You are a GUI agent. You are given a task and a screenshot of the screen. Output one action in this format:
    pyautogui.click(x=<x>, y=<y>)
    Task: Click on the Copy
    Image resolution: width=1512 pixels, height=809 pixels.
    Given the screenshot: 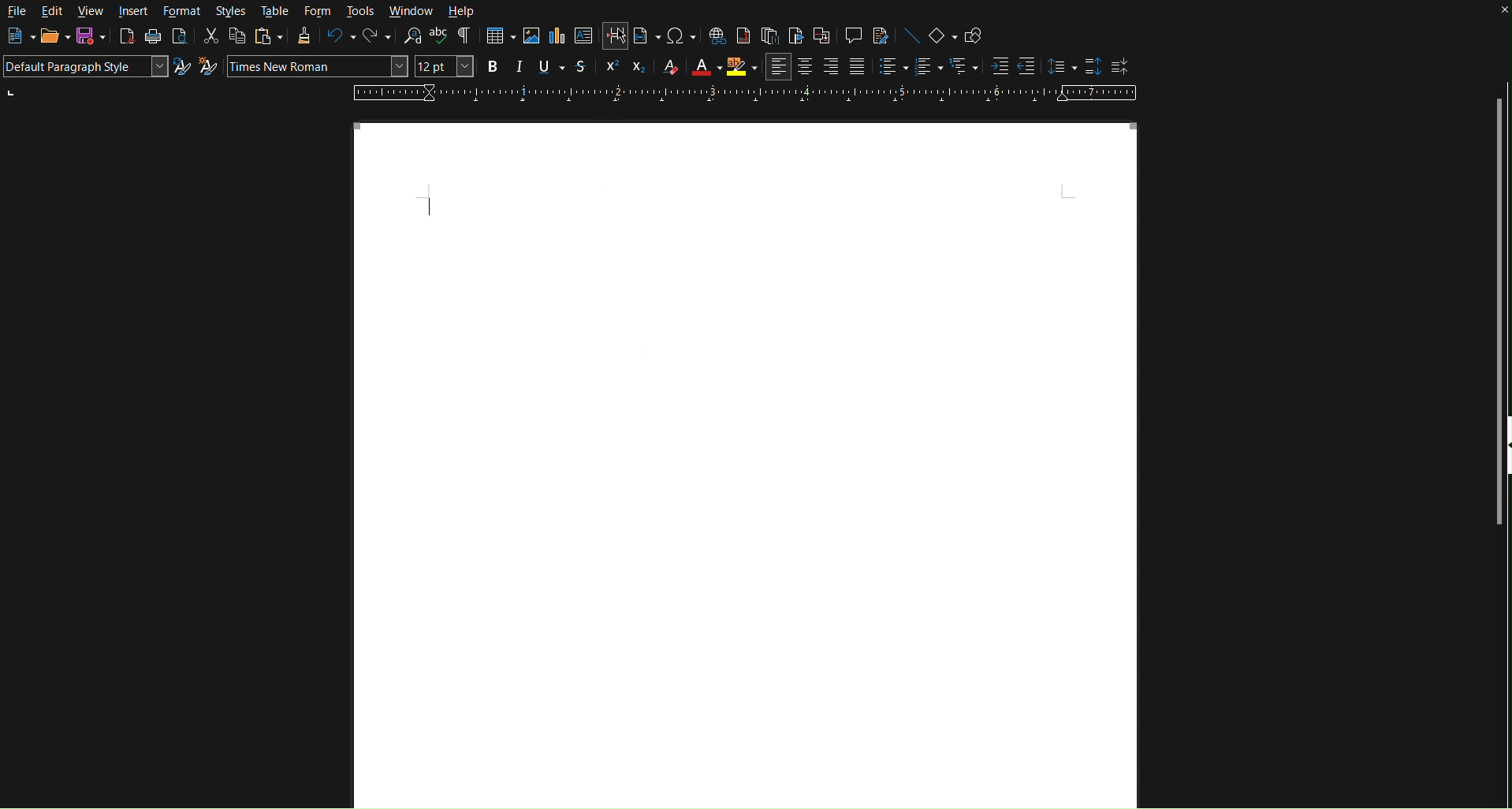 What is the action you would take?
    pyautogui.click(x=237, y=36)
    